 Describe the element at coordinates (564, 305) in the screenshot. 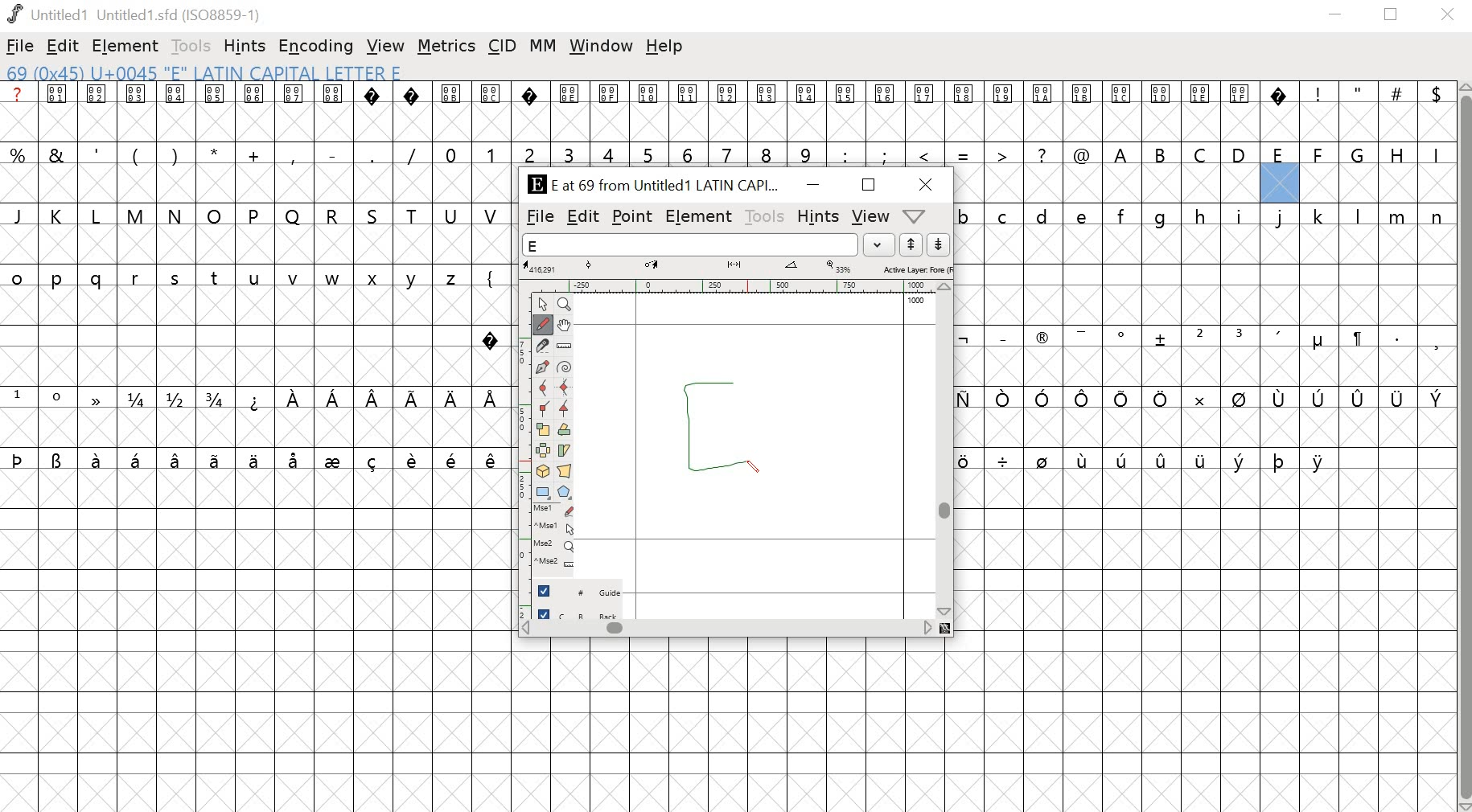

I see `Zoom` at that location.